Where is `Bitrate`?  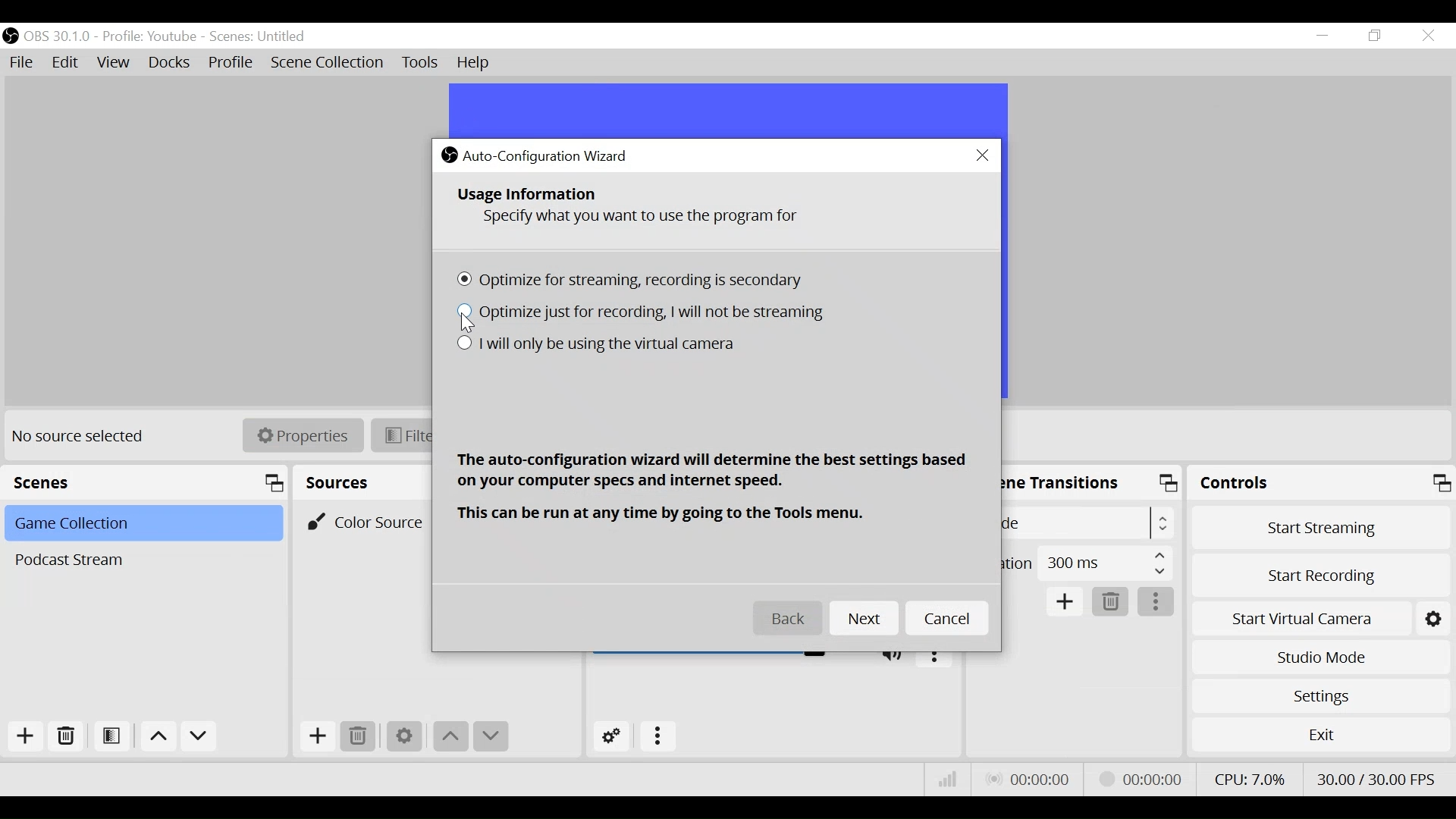 Bitrate is located at coordinates (949, 780).